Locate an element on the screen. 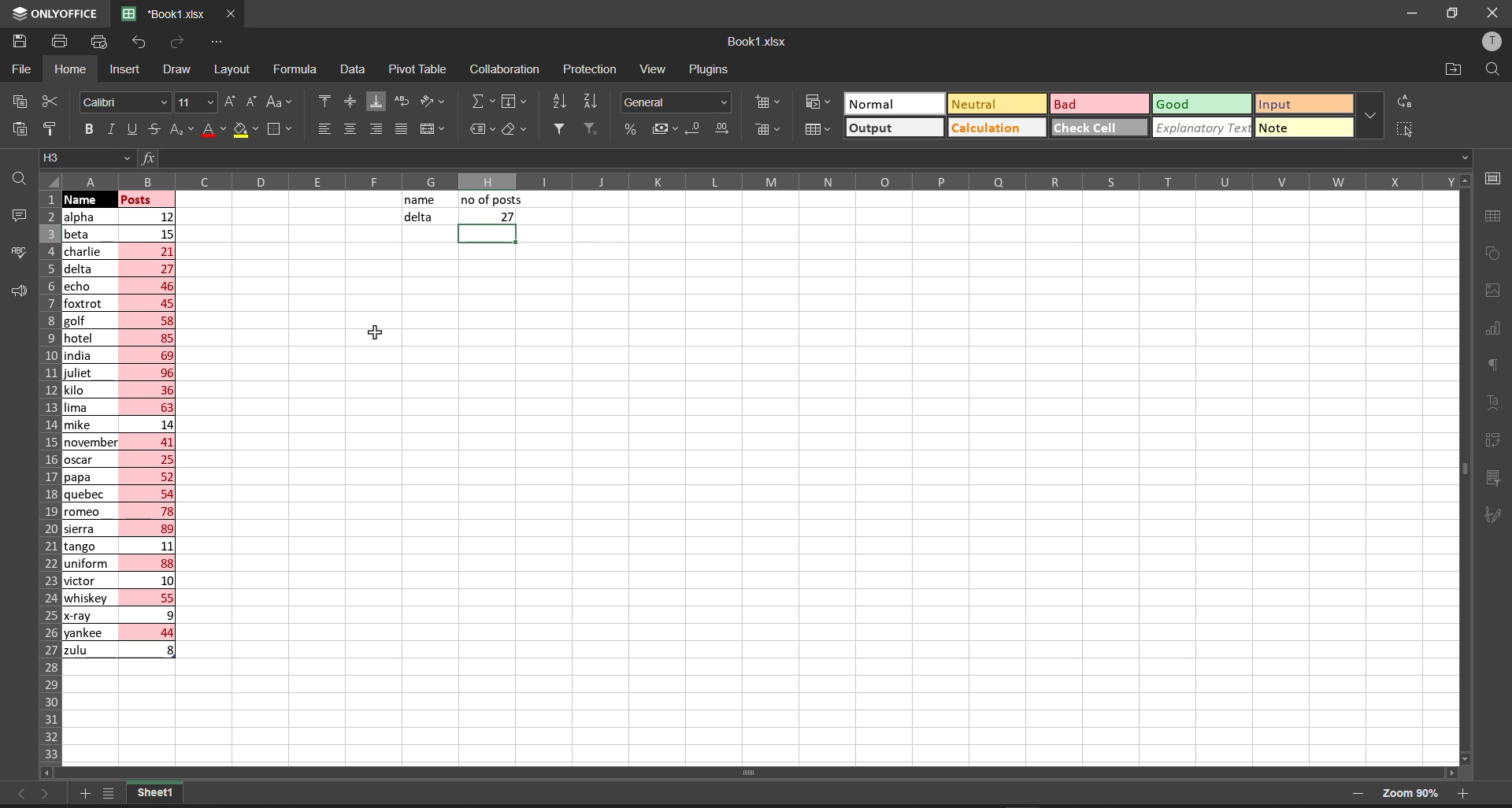  decrement font size is located at coordinates (253, 102).